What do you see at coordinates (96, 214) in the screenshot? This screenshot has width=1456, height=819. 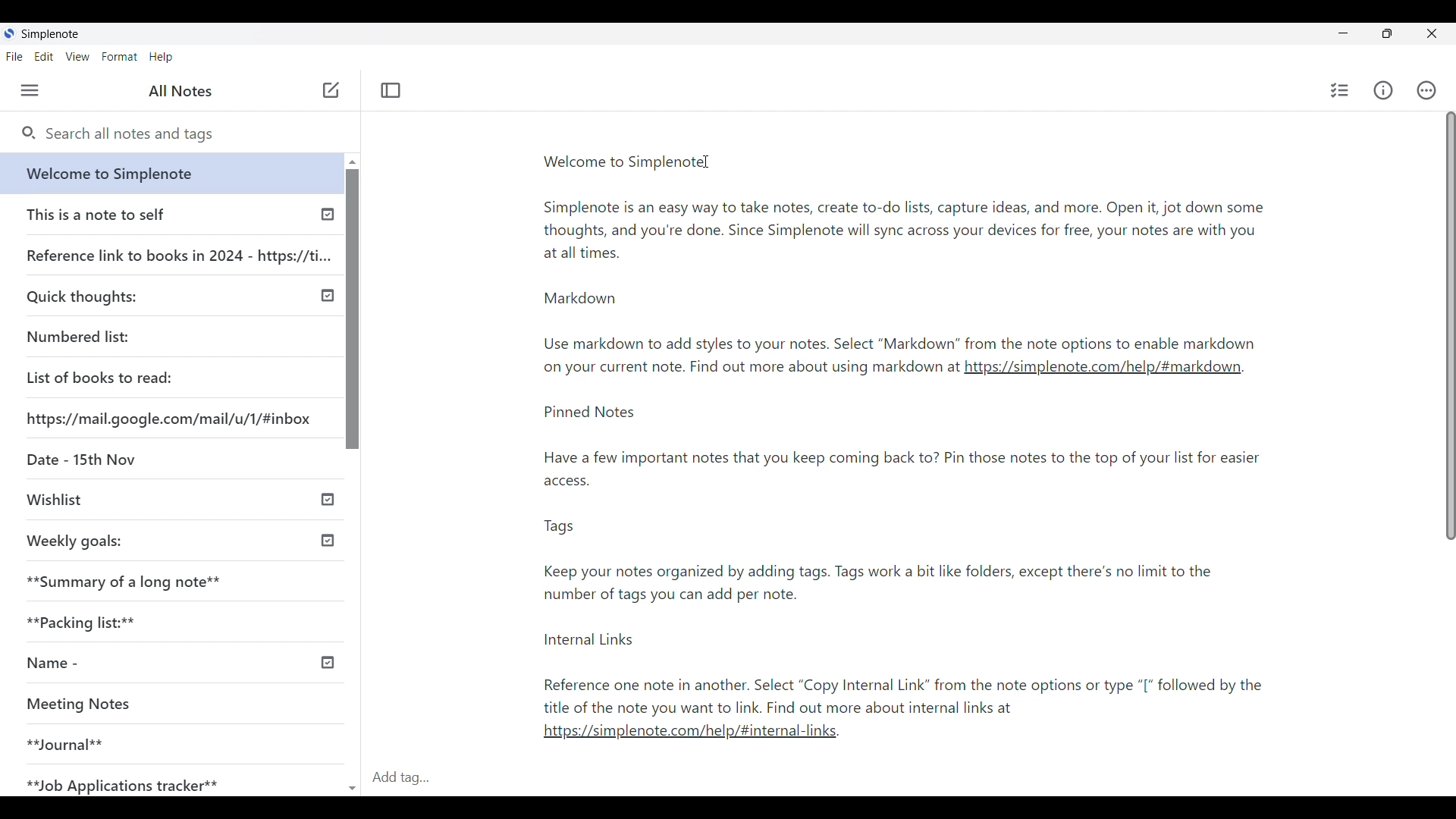 I see `This is a note to self` at bounding box center [96, 214].